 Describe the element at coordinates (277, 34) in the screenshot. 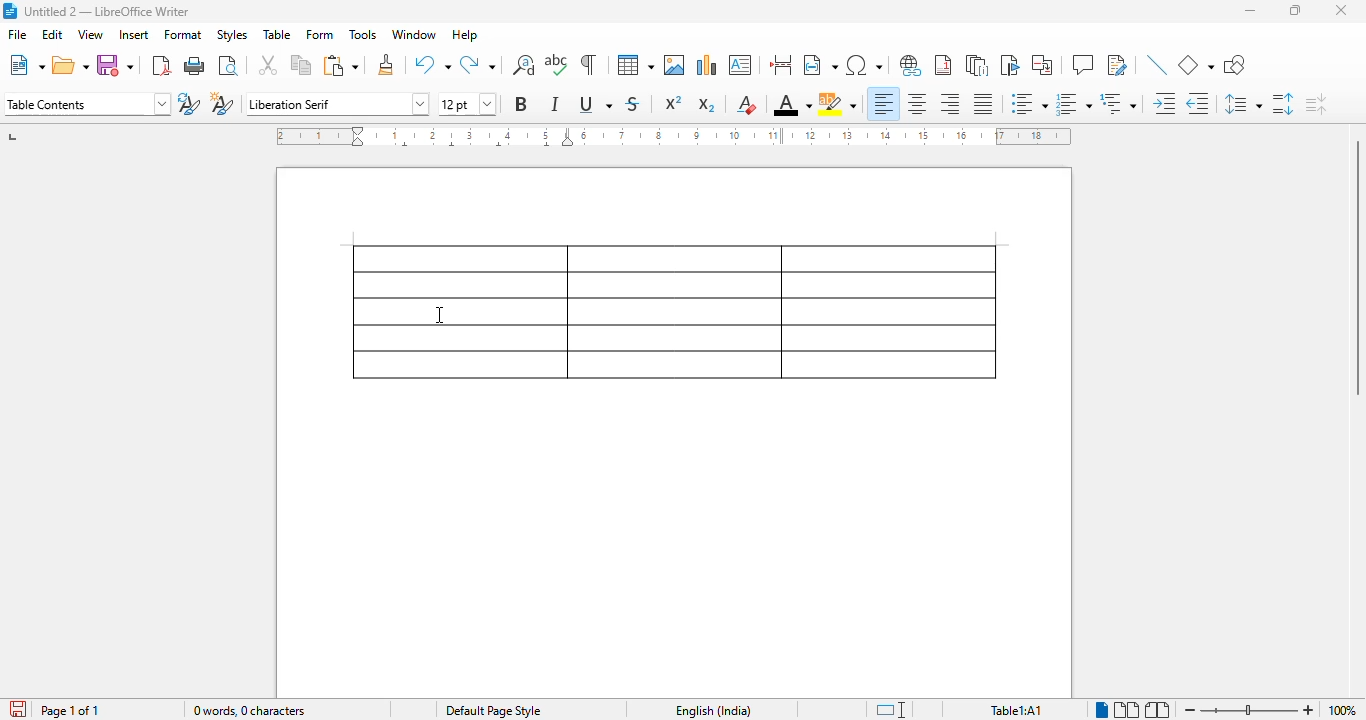

I see `table` at that location.